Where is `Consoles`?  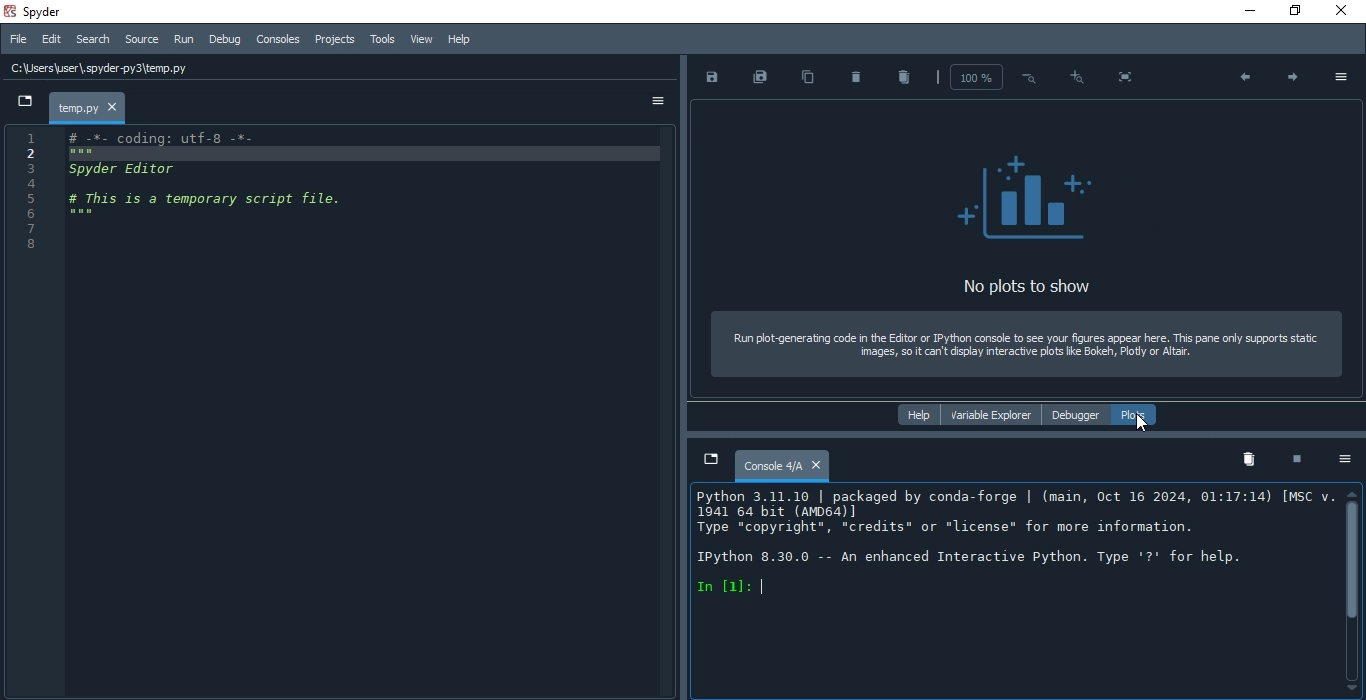
Consoles is located at coordinates (279, 39).